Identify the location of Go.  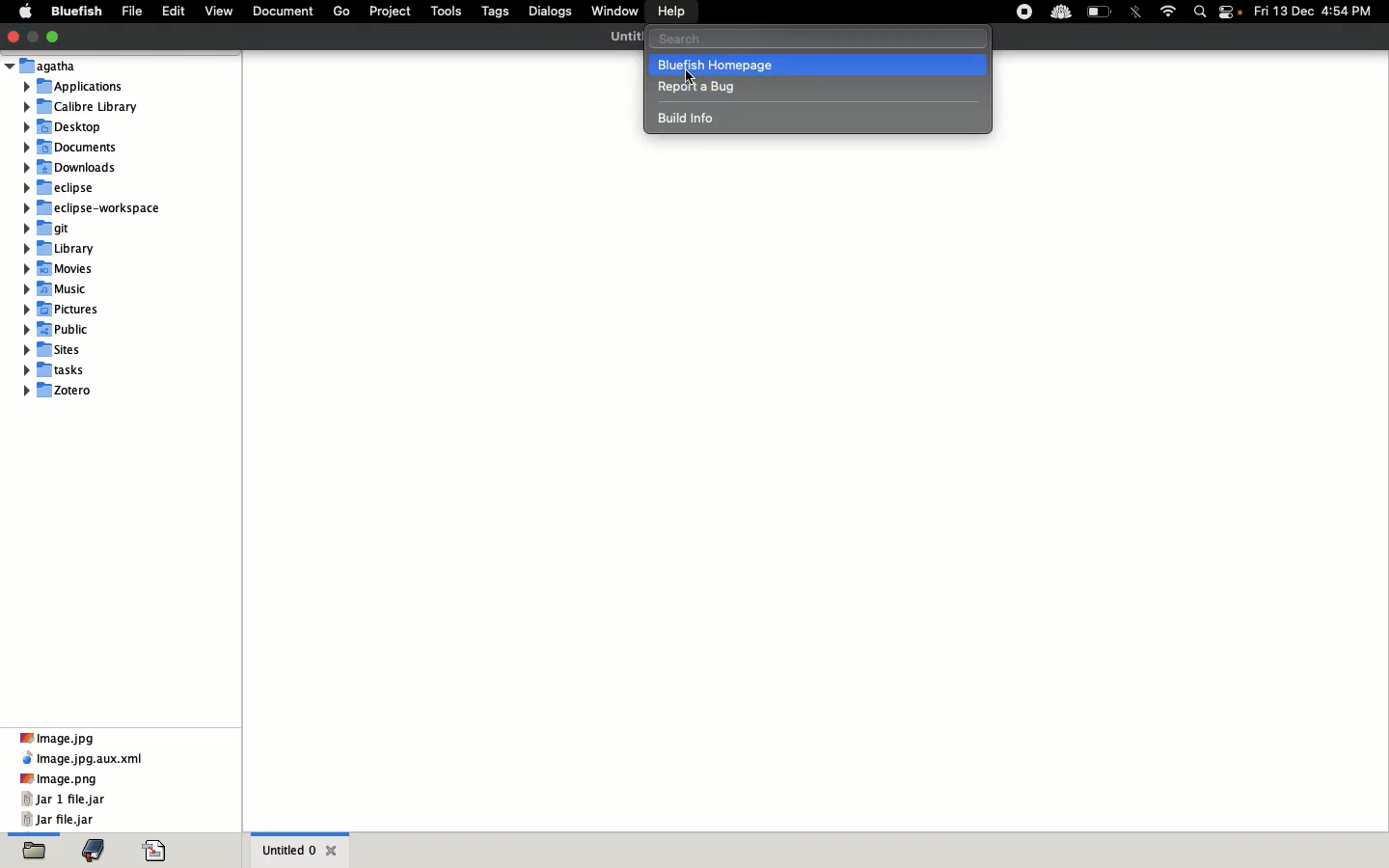
(341, 12).